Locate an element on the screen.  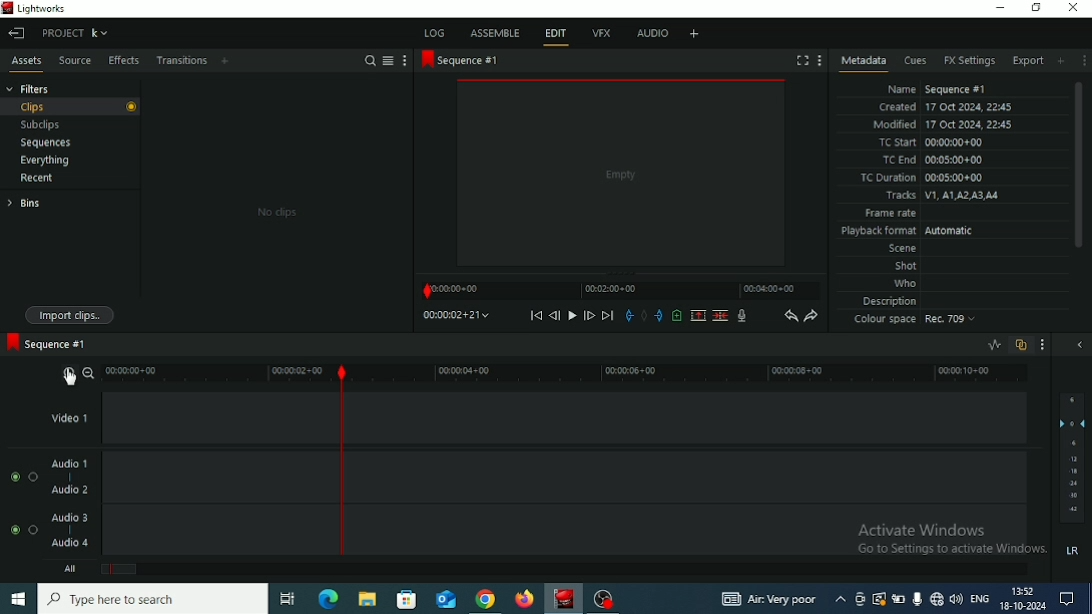
Minimize is located at coordinates (1001, 9).